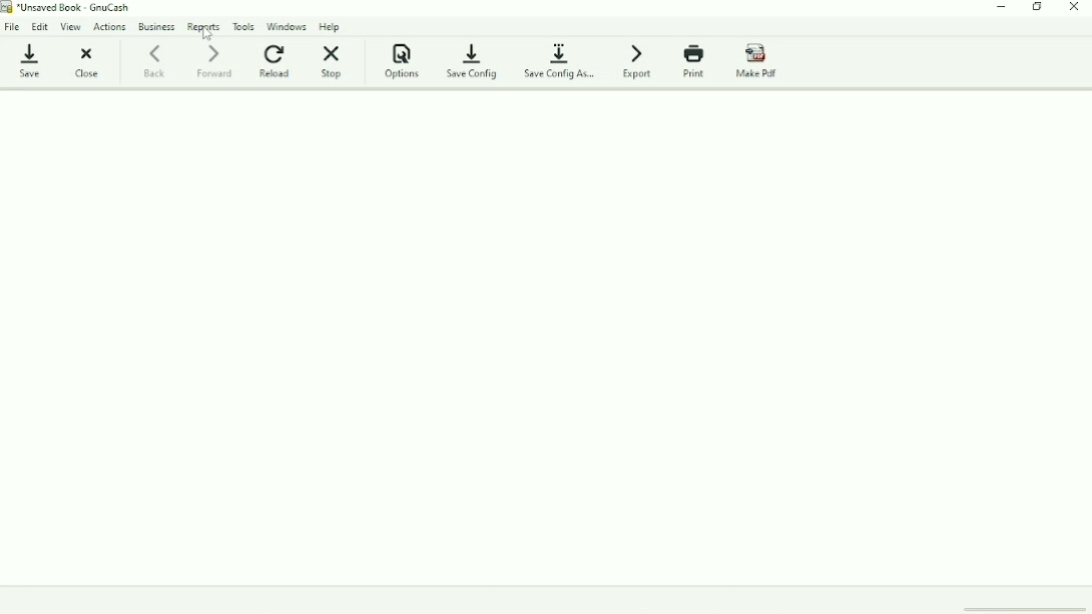 This screenshot has width=1092, height=614. Describe the element at coordinates (288, 25) in the screenshot. I see `Windows` at that location.